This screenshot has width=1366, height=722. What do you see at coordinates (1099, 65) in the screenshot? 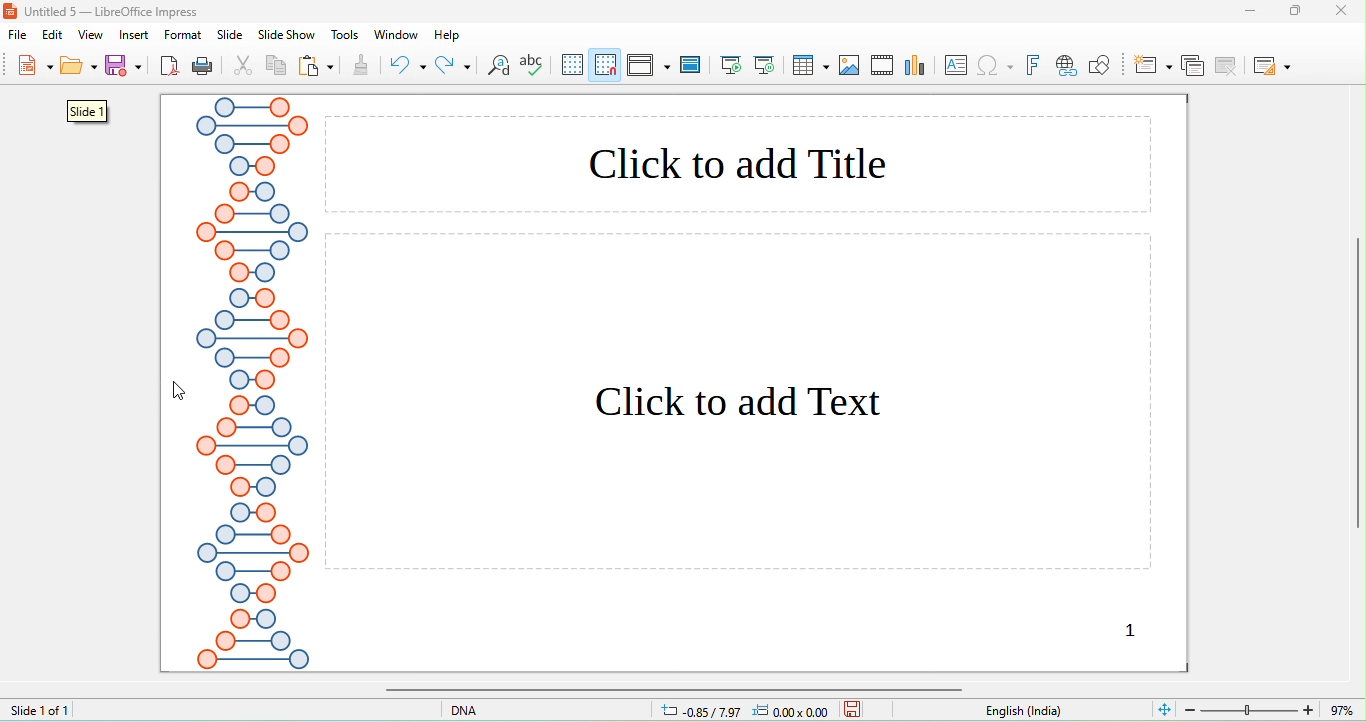
I see `show draw functions` at bounding box center [1099, 65].